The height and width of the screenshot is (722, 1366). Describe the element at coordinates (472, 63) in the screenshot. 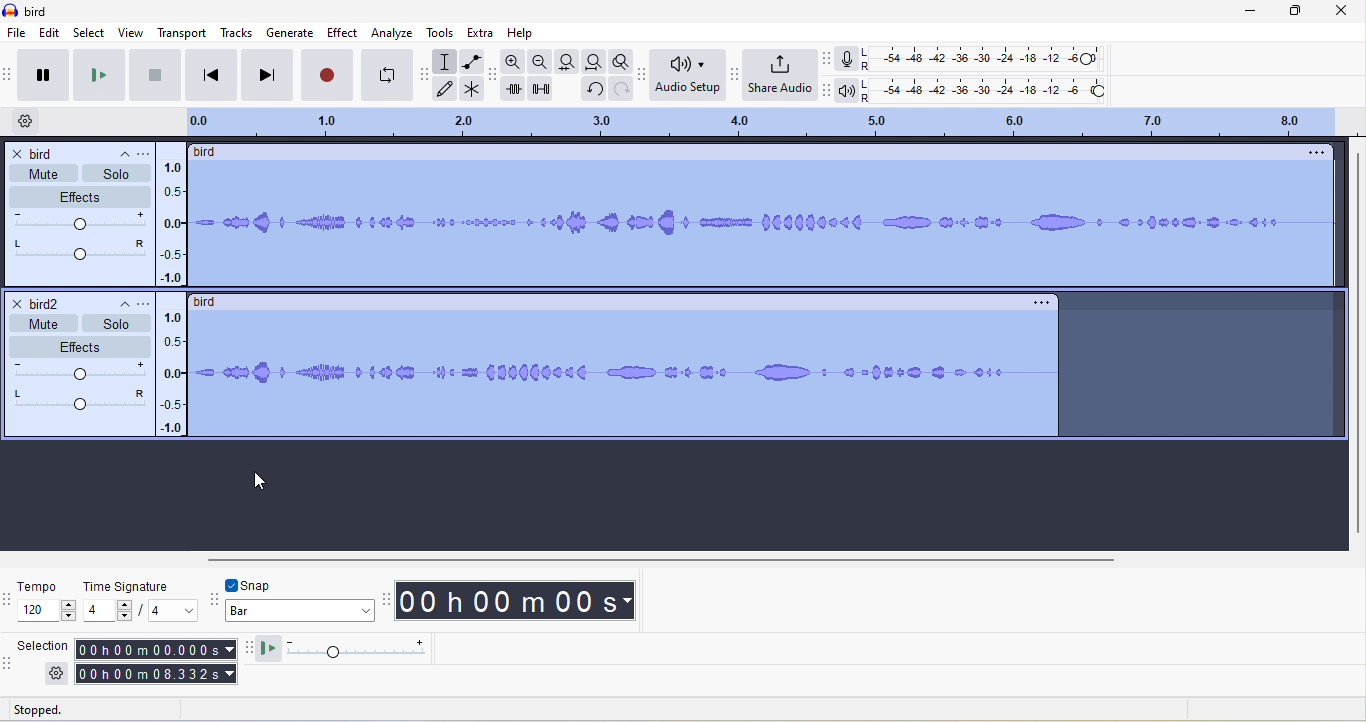

I see `envelope tool` at that location.